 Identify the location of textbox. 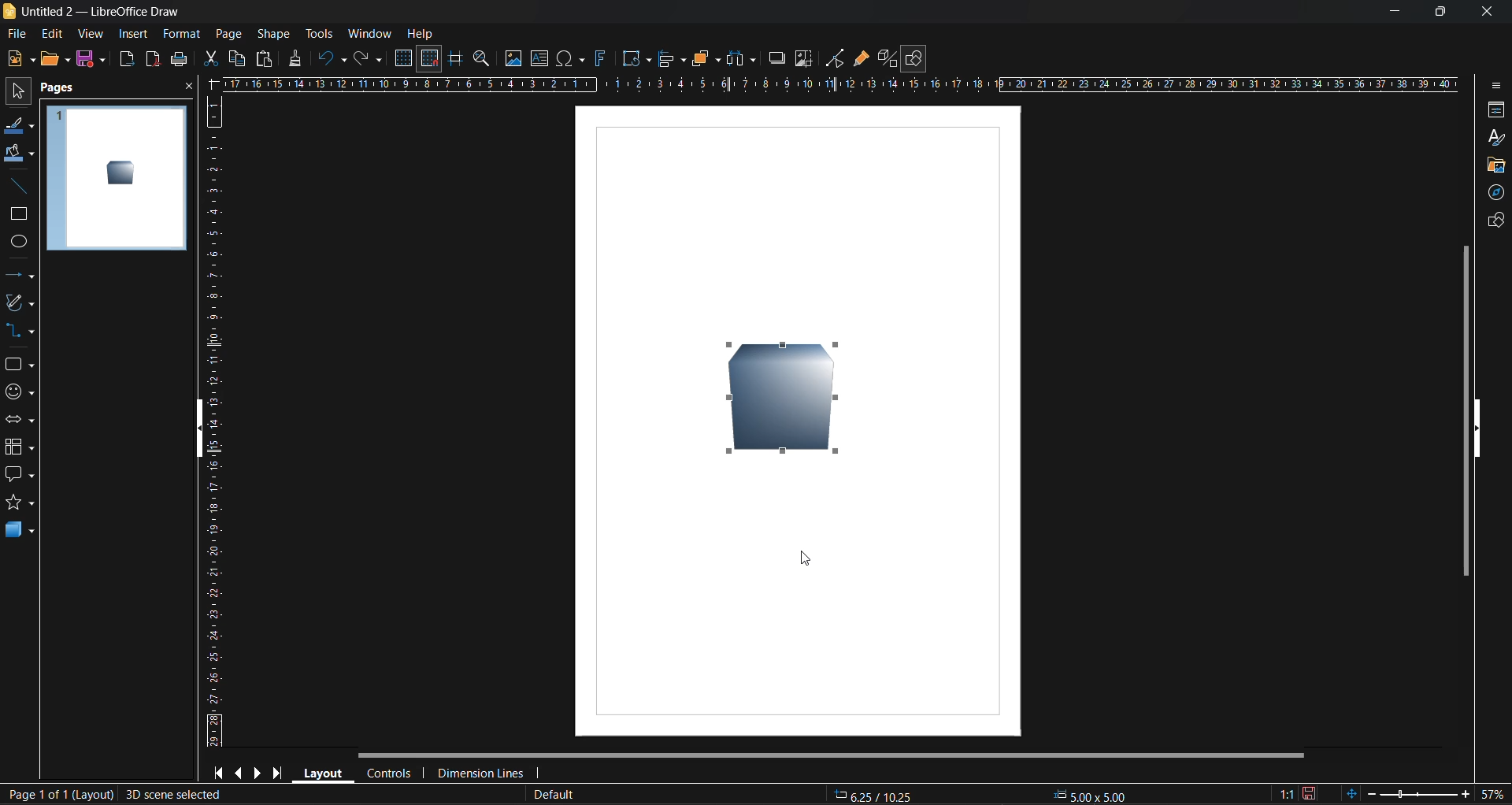
(542, 58).